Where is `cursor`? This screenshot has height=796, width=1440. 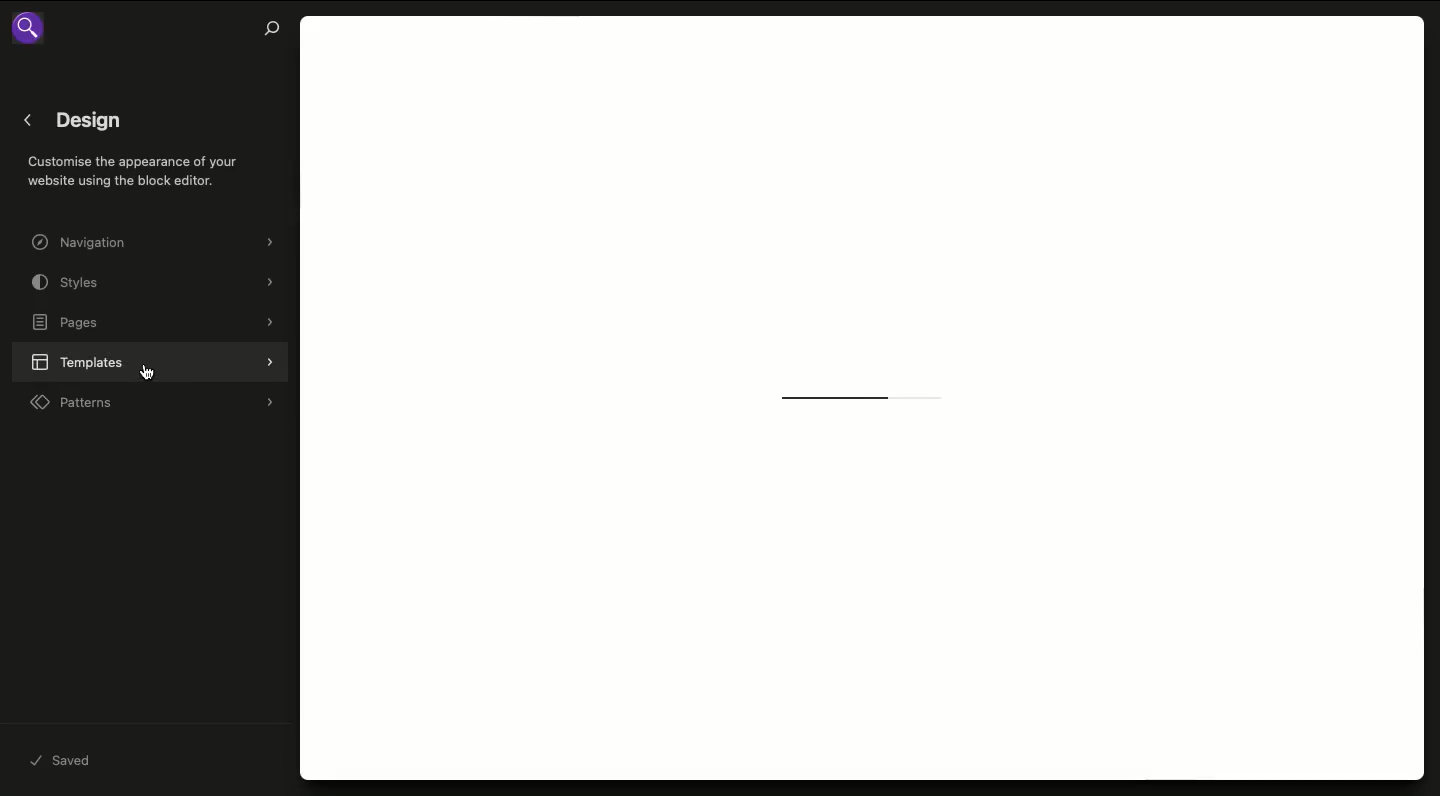 cursor is located at coordinates (153, 369).